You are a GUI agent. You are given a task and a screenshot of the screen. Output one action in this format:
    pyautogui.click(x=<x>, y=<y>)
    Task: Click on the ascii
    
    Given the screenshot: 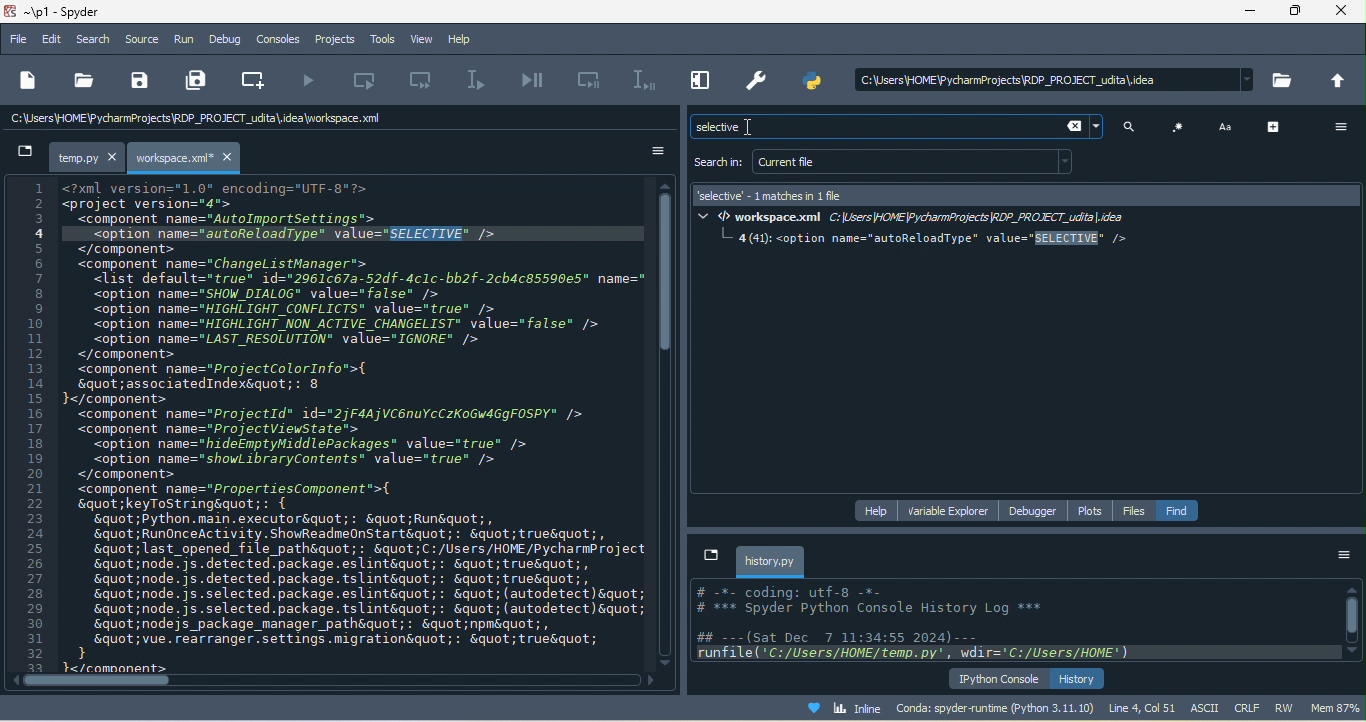 What is the action you would take?
    pyautogui.click(x=1207, y=708)
    